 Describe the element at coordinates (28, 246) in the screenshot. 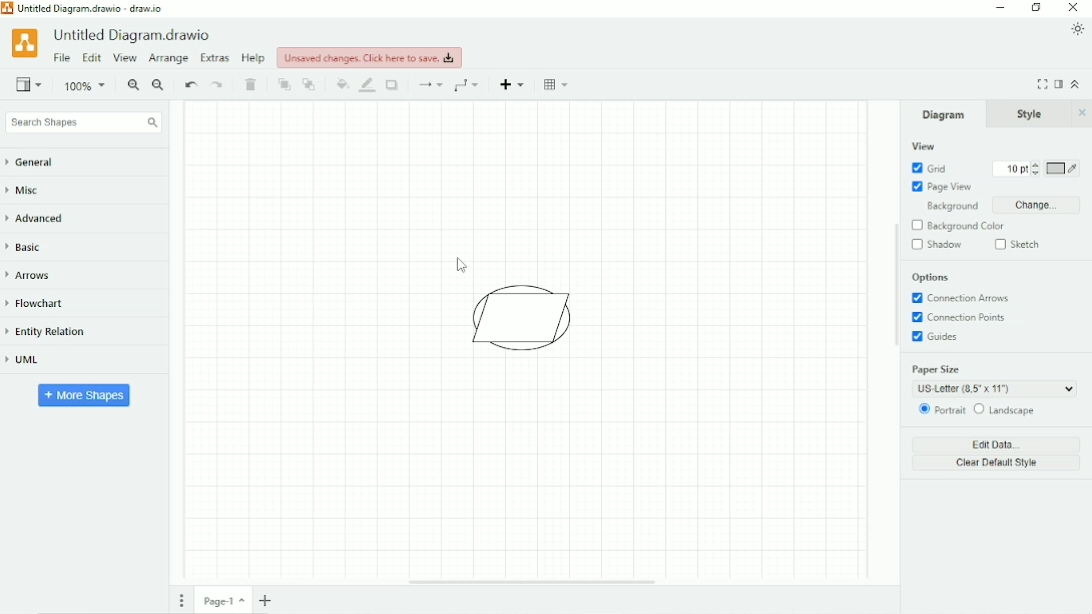

I see `Basic` at that location.